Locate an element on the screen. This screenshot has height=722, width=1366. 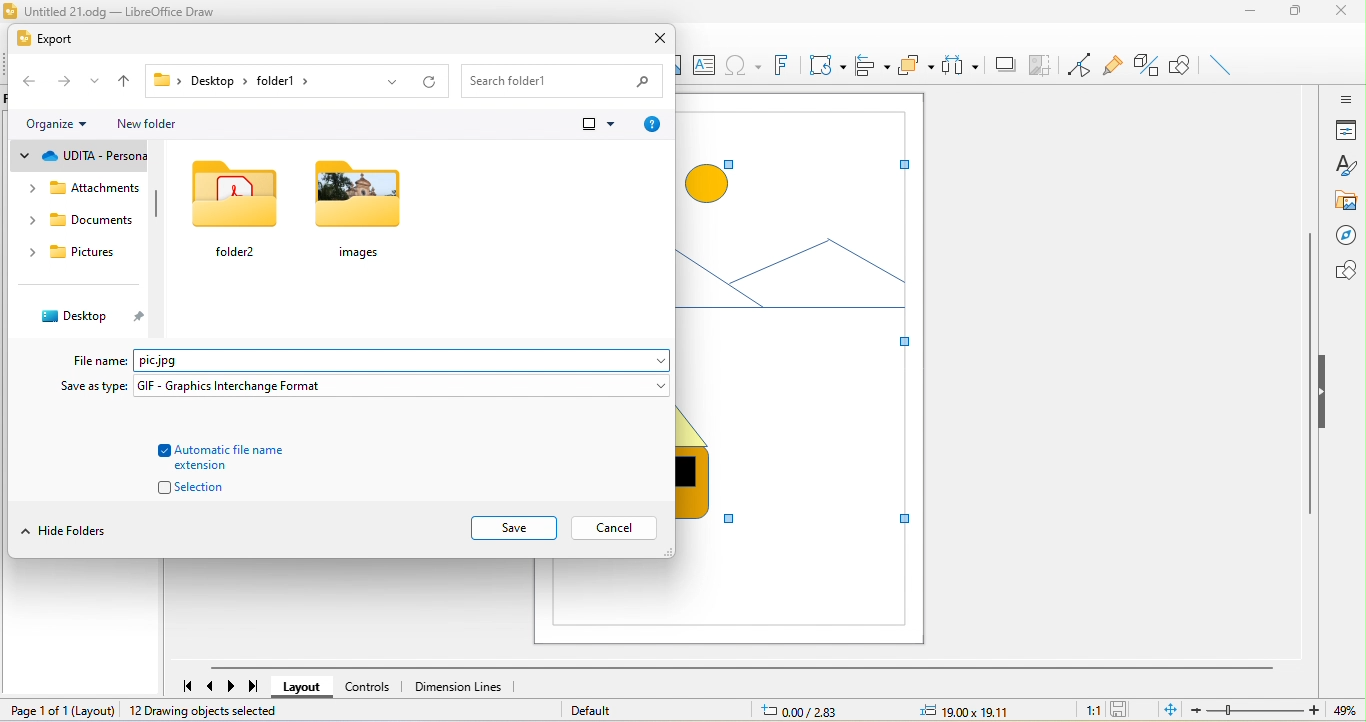
first is located at coordinates (182, 682).